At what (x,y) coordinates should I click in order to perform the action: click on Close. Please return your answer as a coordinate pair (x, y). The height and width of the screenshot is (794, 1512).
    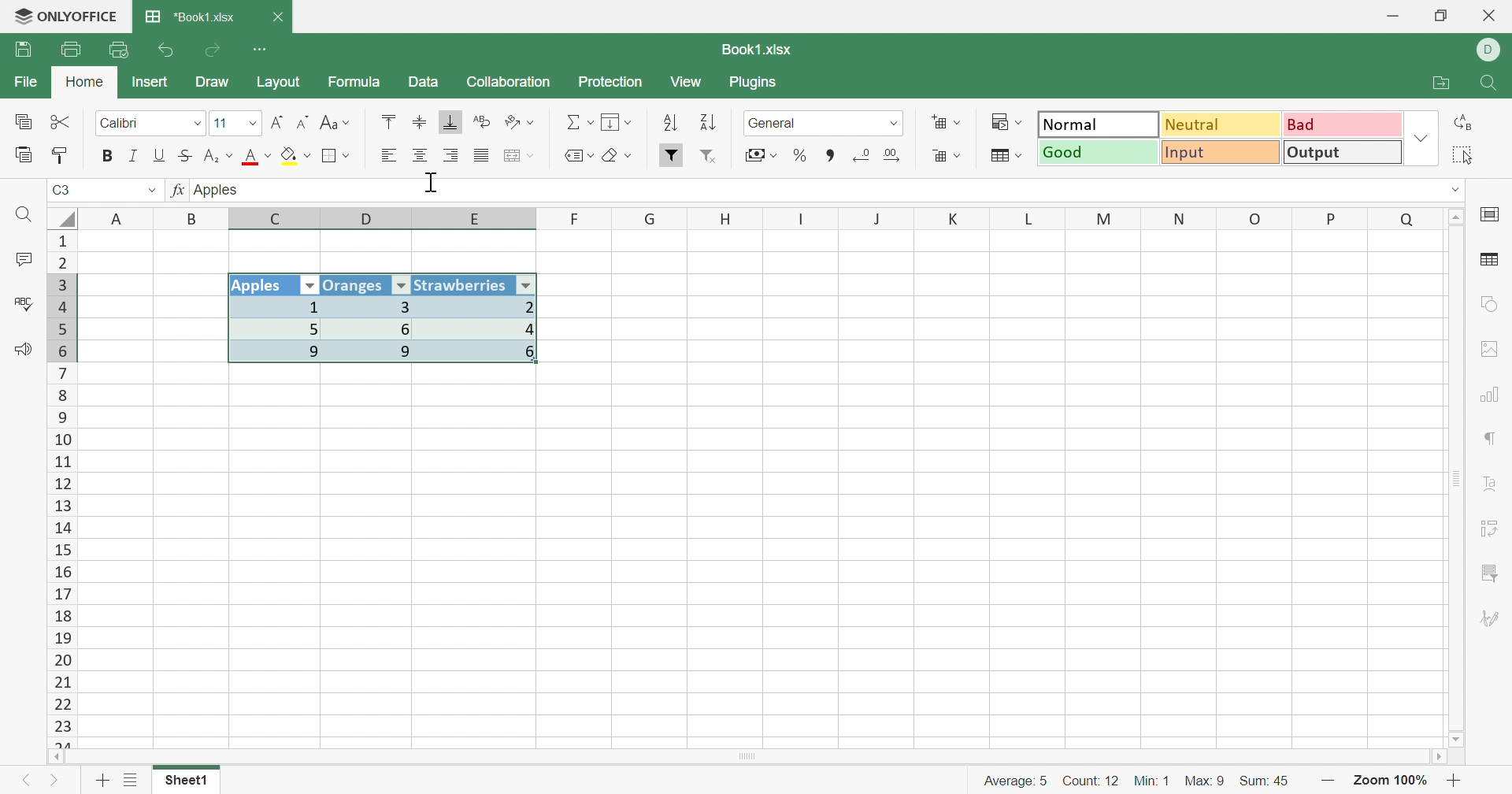
    Looking at the image, I should click on (280, 17).